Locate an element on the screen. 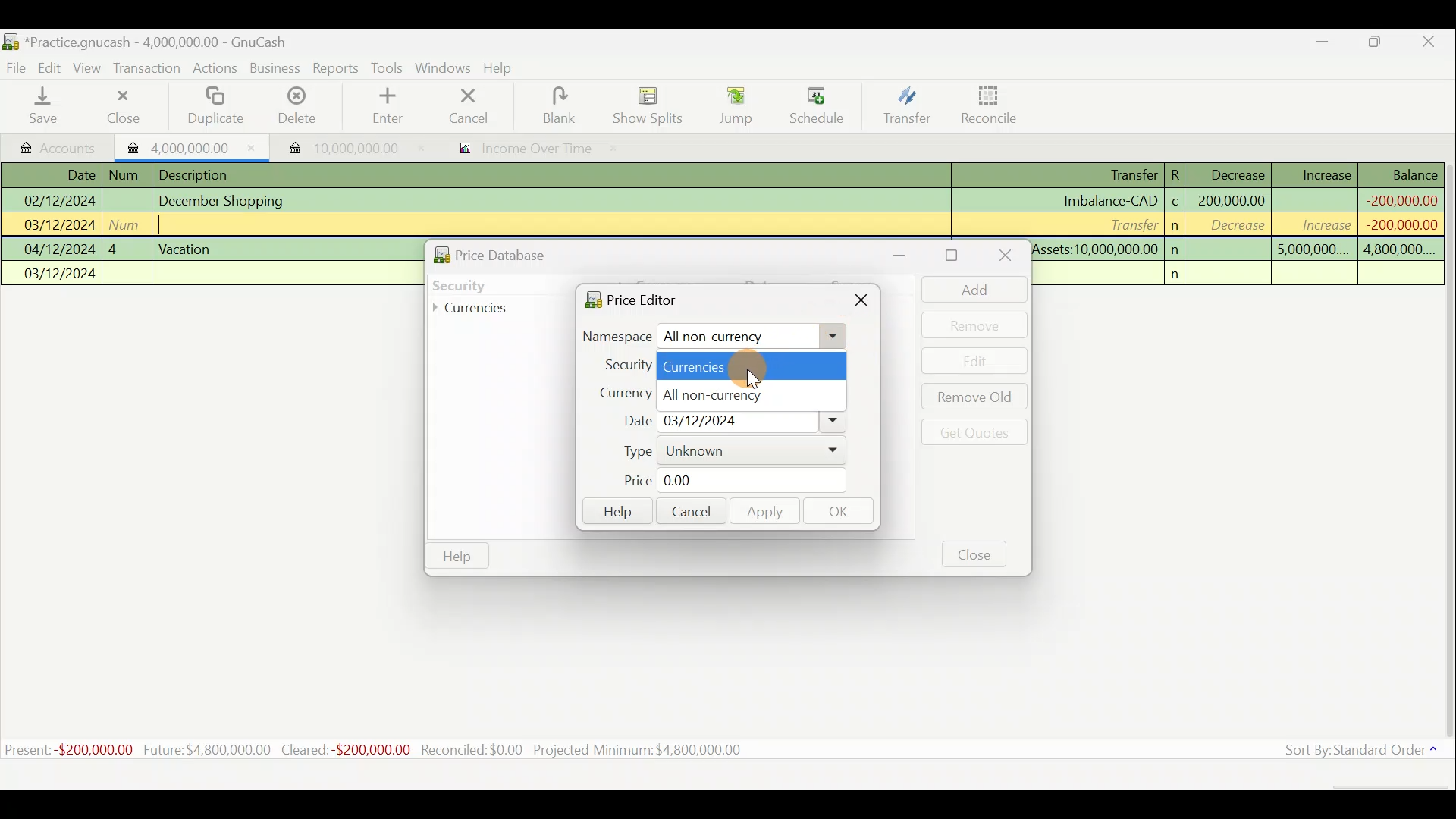  03/12/2024 is located at coordinates (60, 227).